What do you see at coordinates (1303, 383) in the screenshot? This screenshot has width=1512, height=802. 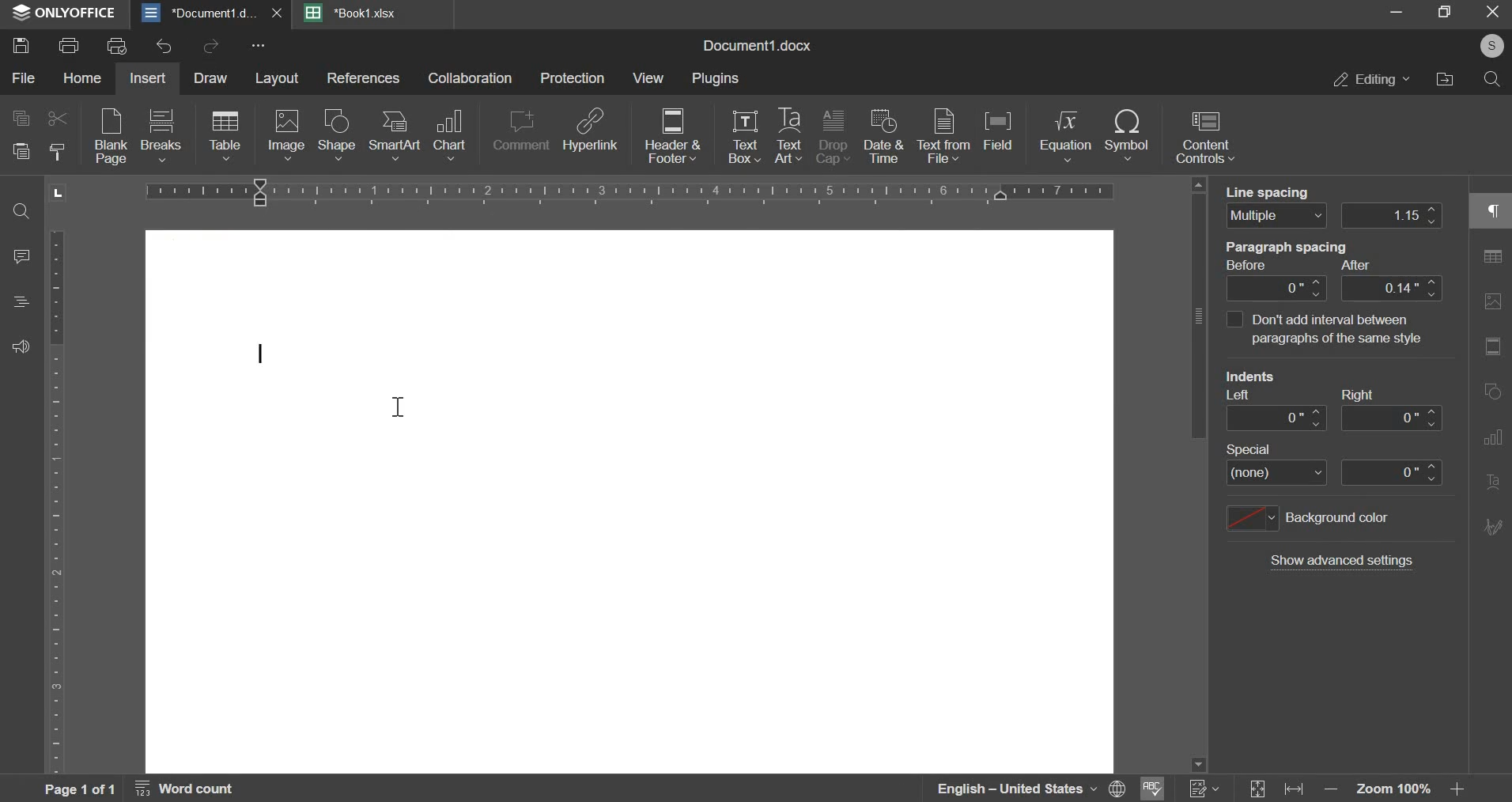 I see `Indent label` at bounding box center [1303, 383].